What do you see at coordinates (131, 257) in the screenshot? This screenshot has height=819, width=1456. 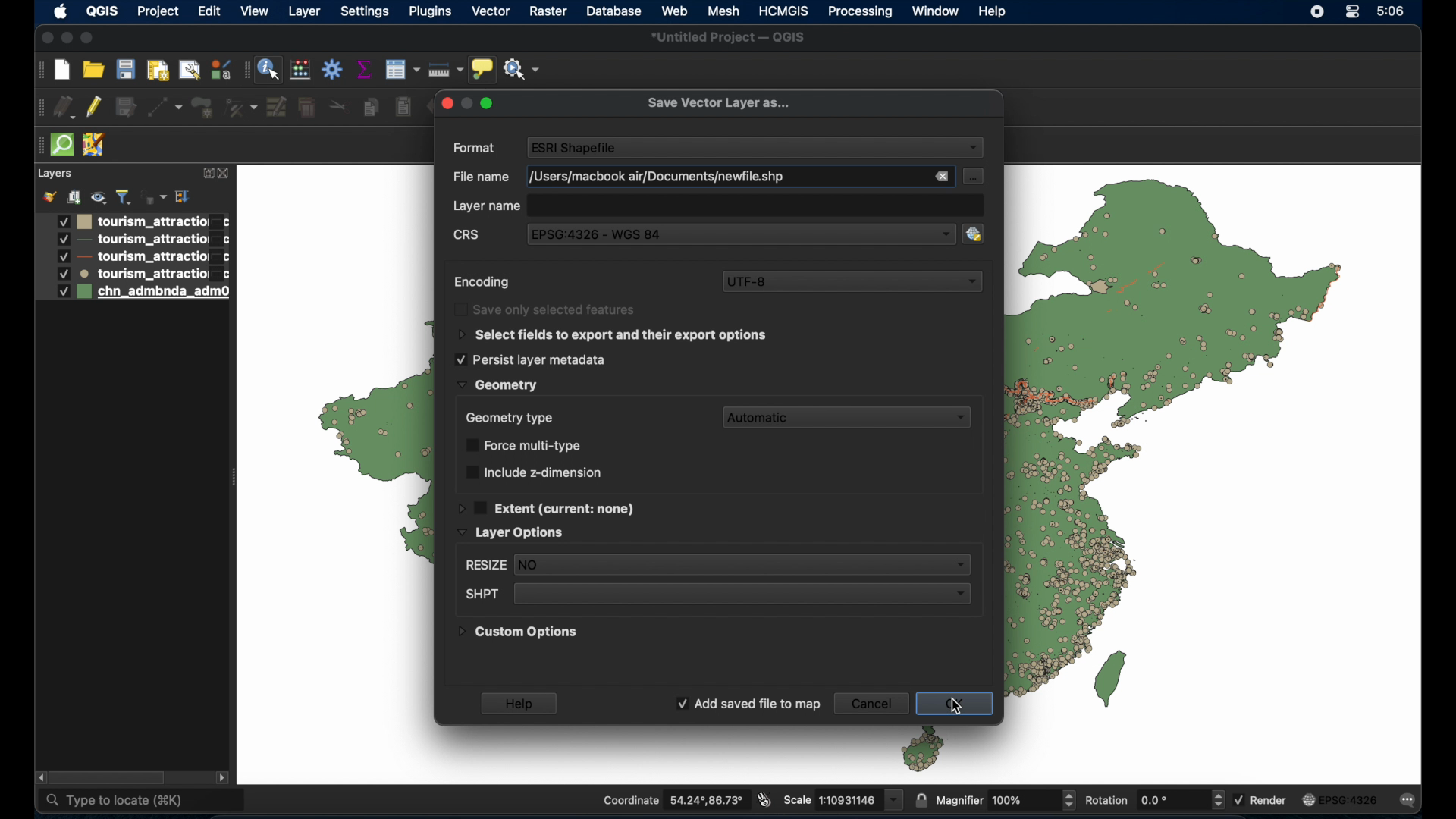 I see `layer 3` at bounding box center [131, 257].